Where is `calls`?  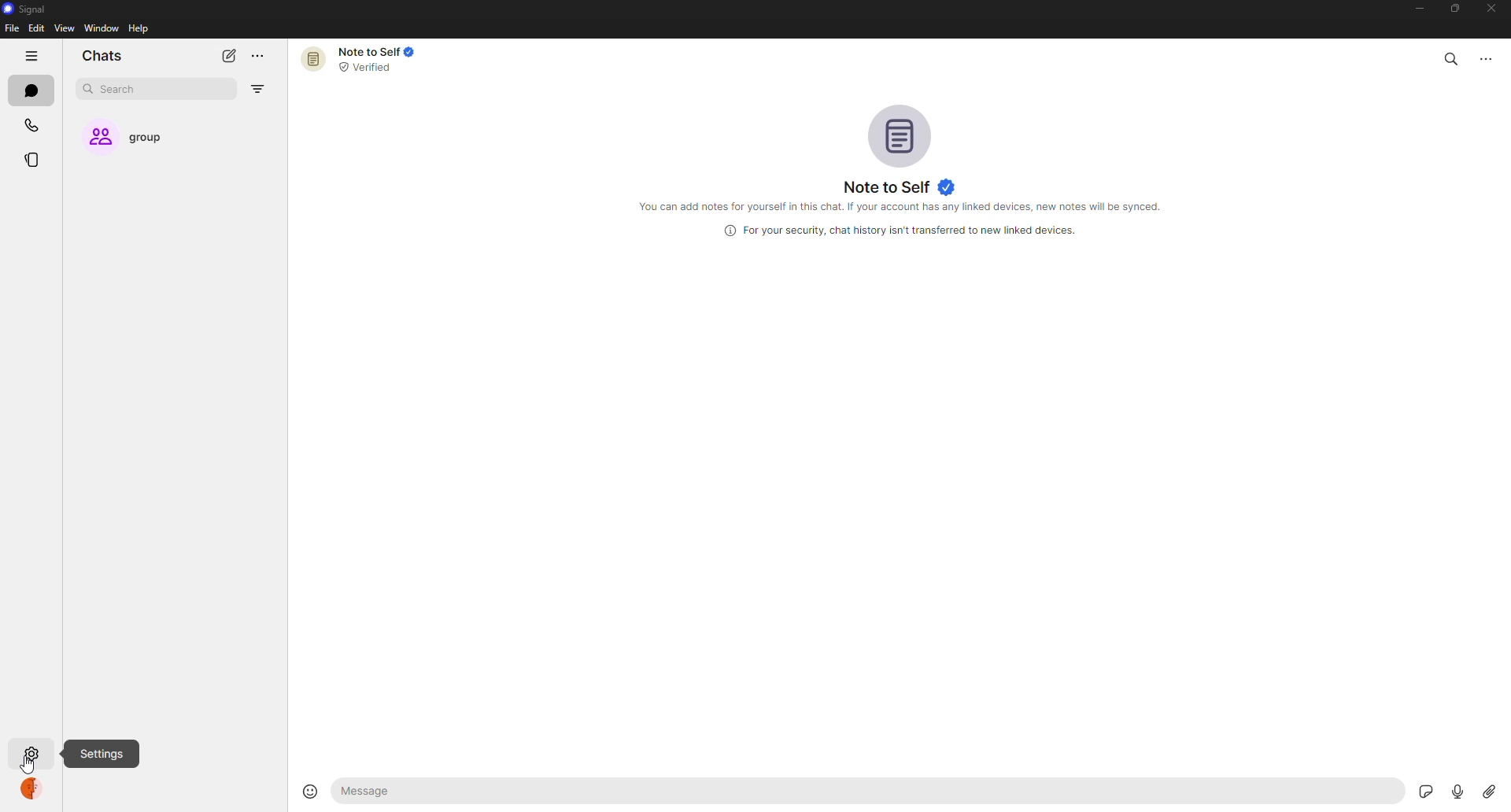 calls is located at coordinates (34, 127).